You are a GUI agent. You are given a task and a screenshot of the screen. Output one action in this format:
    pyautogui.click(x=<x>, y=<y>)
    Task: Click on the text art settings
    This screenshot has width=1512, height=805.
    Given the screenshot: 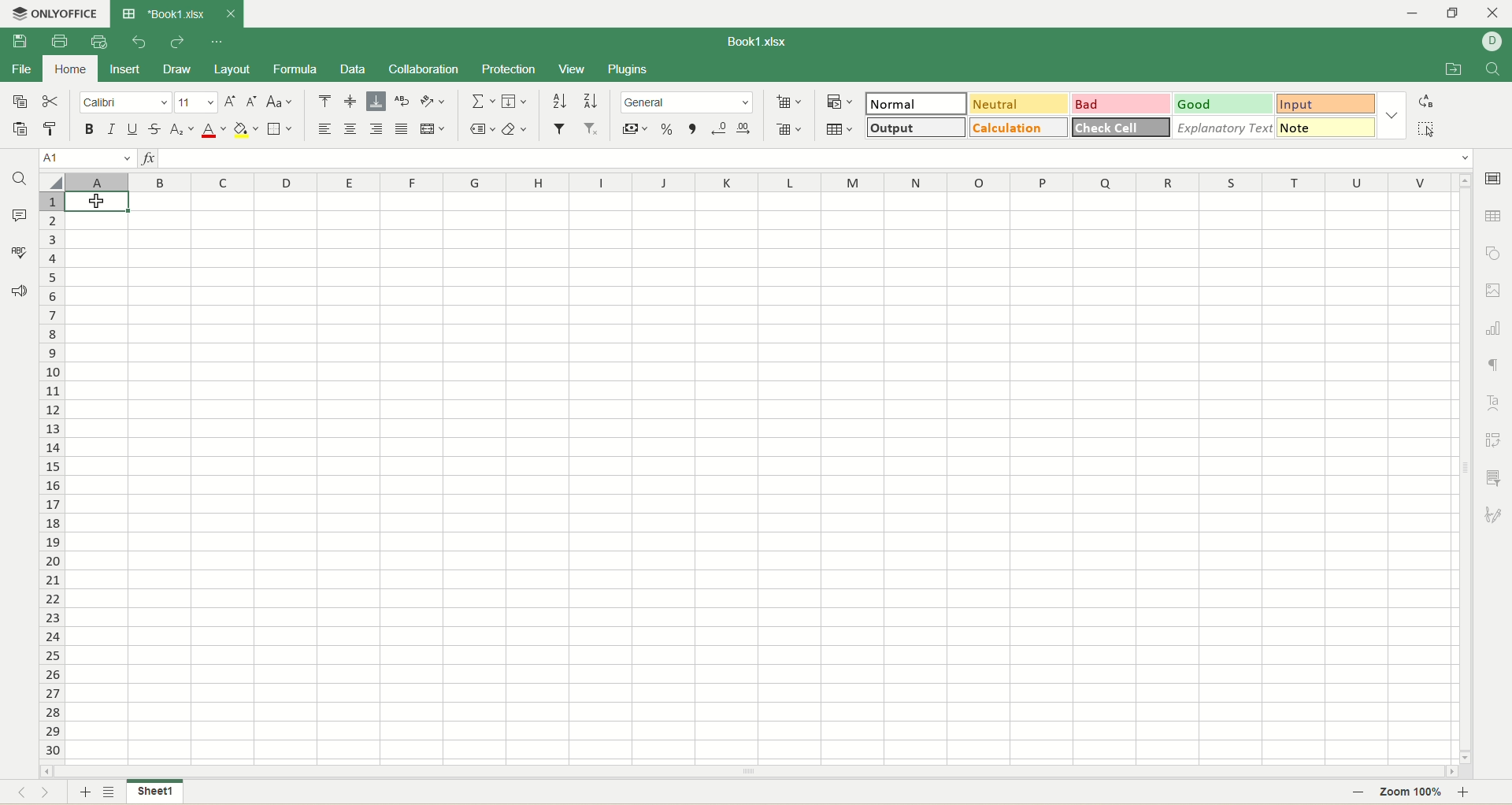 What is the action you would take?
    pyautogui.click(x=1495, y=403)
    